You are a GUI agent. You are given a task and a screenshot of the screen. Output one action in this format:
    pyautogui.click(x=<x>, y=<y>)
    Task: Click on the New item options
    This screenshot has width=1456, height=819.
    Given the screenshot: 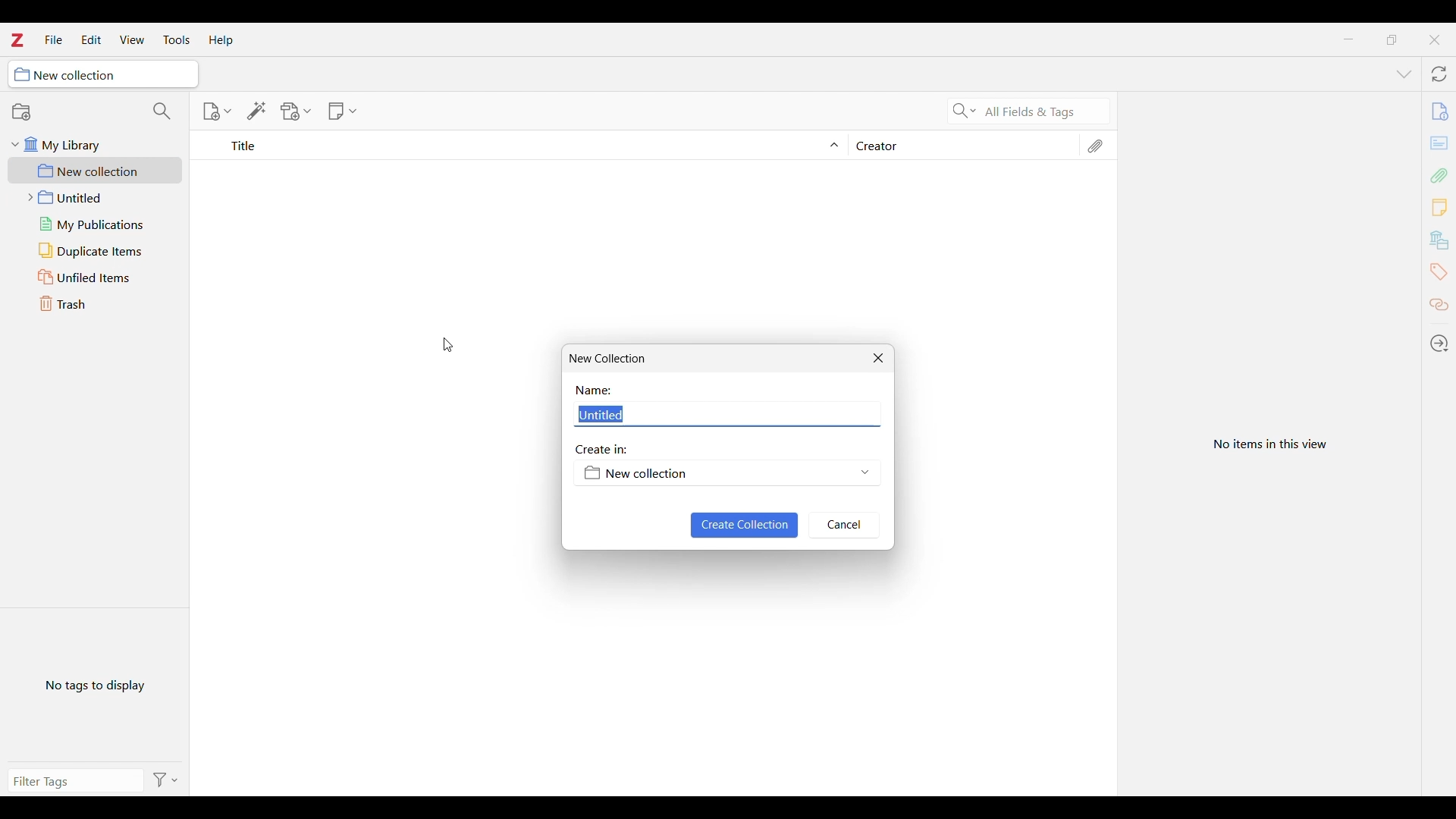 What is the action you would take?
    pyautogui.click(x=216, y=111)
    